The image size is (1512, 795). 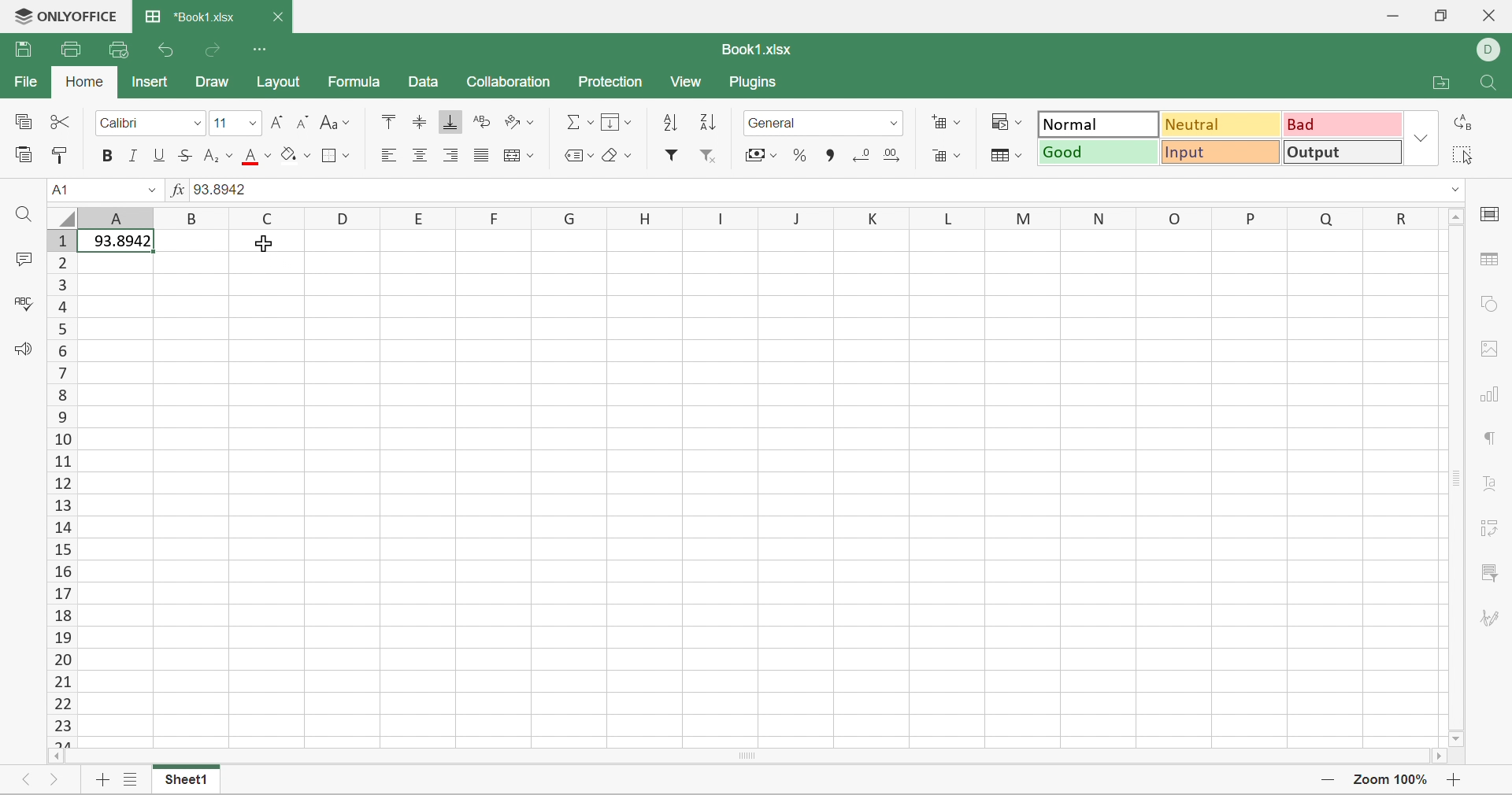 What do you see at coordinates (480, 124) in the screenshot?
I see `Wrap text` at bounding box center [480, 124].